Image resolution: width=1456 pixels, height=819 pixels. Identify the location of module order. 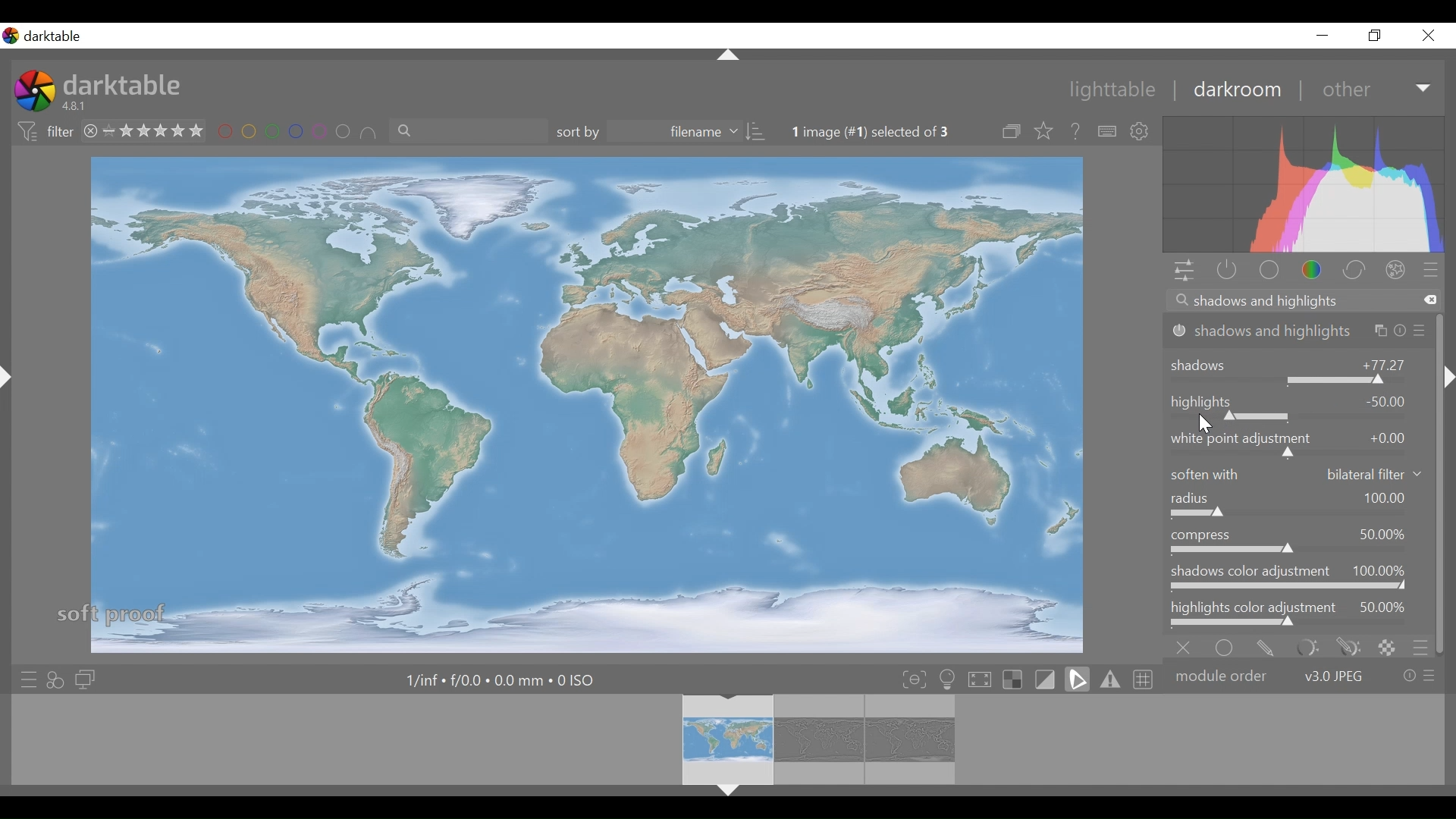
(1305, 675).